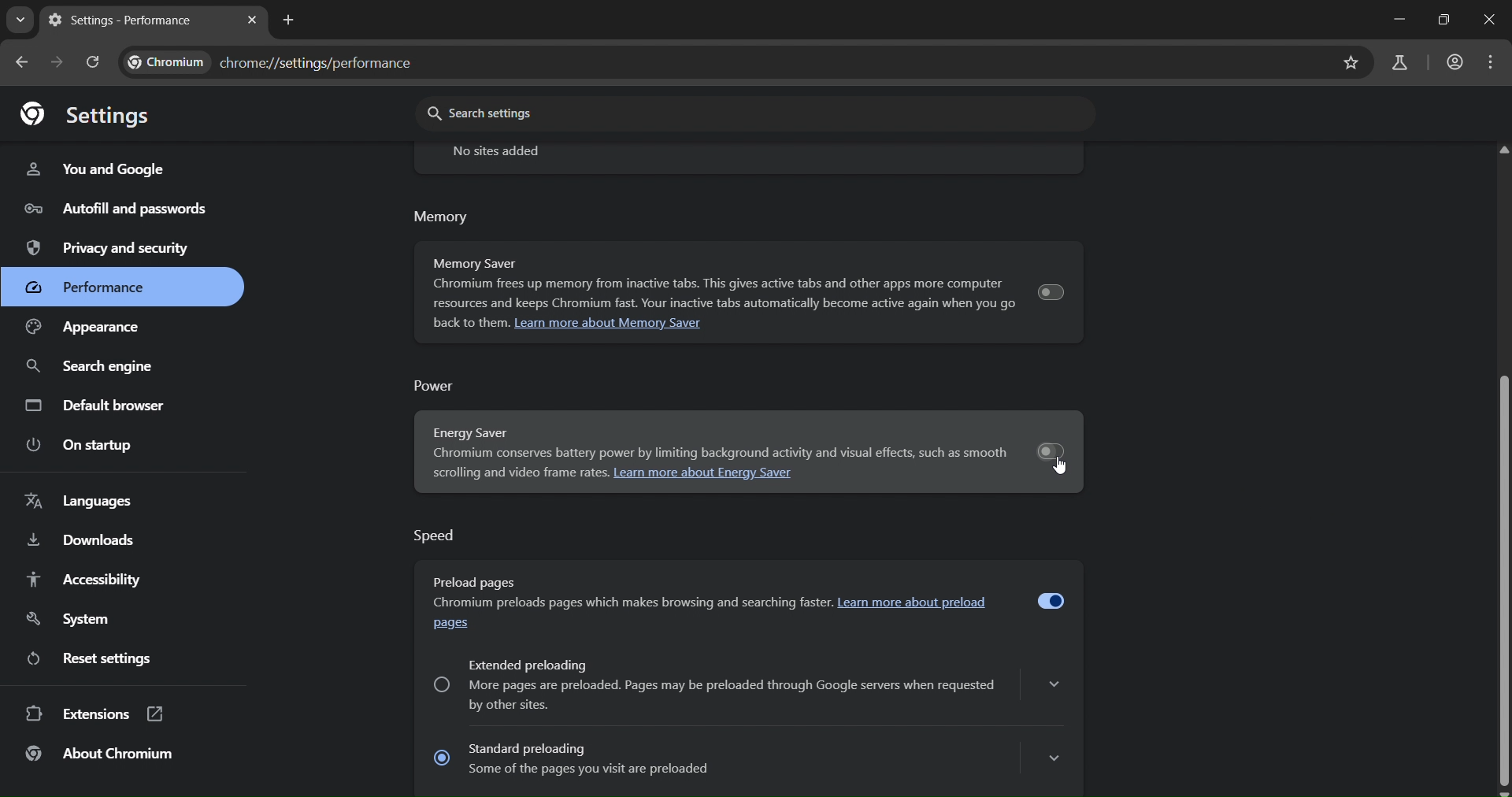  Describe the element at coordinates (20, 61) in the screenshot. I see `go back onne page` at that location.